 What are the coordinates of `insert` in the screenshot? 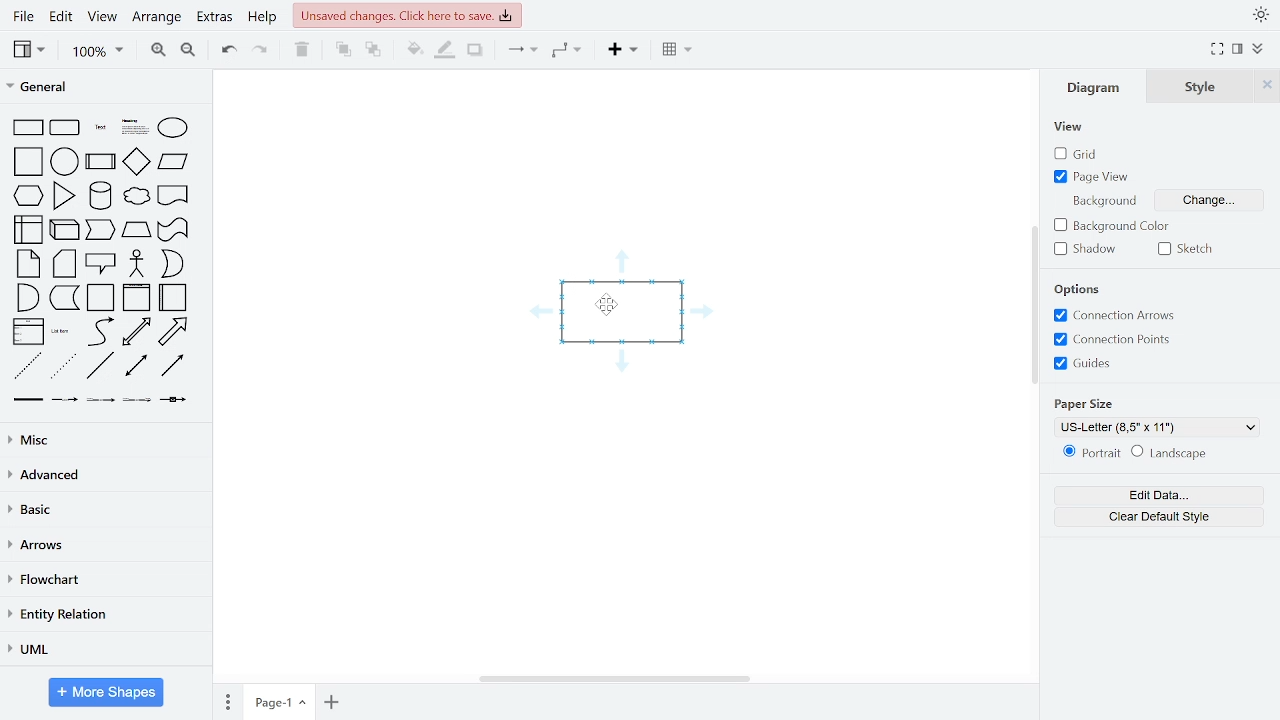 It's located at (624, 50).